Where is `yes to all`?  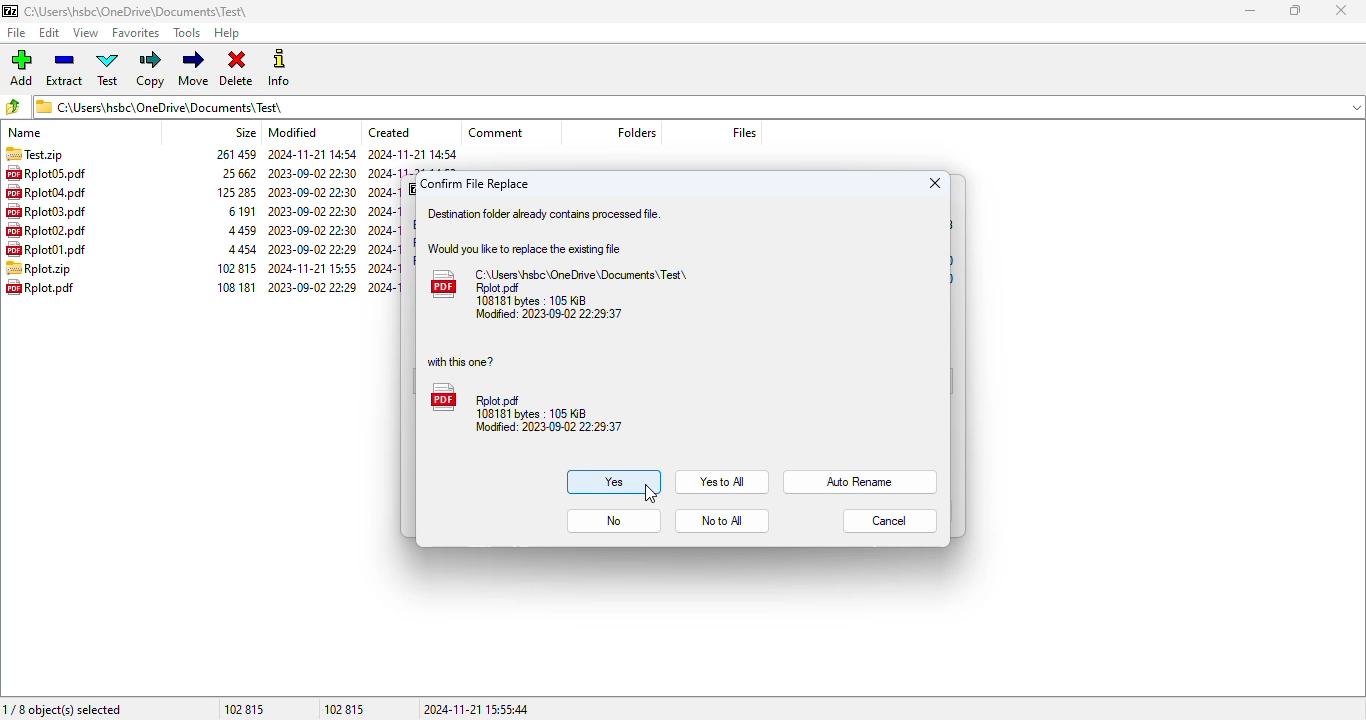
yes to all is located at coordinates (721, 481).